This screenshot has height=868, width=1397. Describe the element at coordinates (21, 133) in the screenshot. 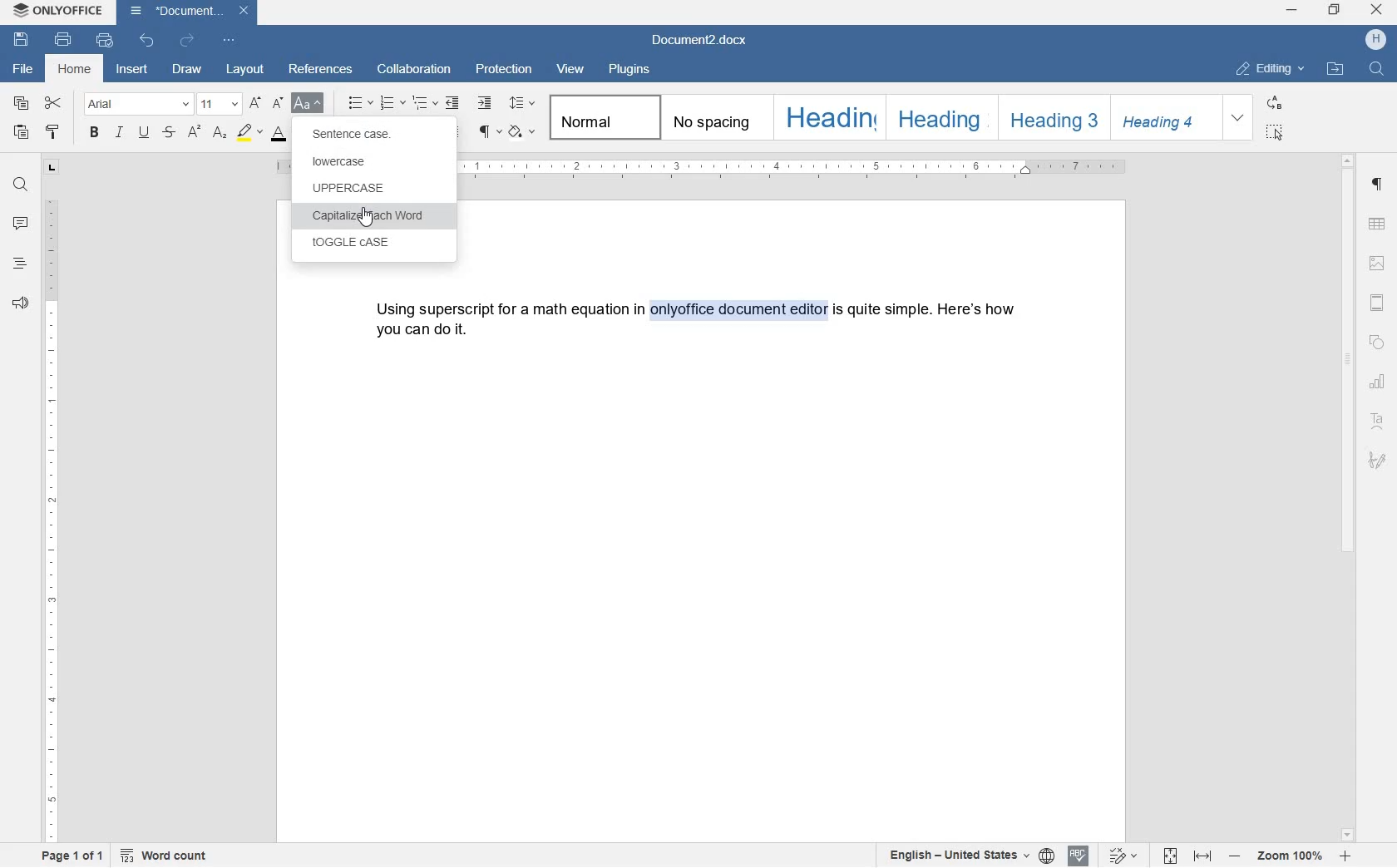

I see `paste` at that location.